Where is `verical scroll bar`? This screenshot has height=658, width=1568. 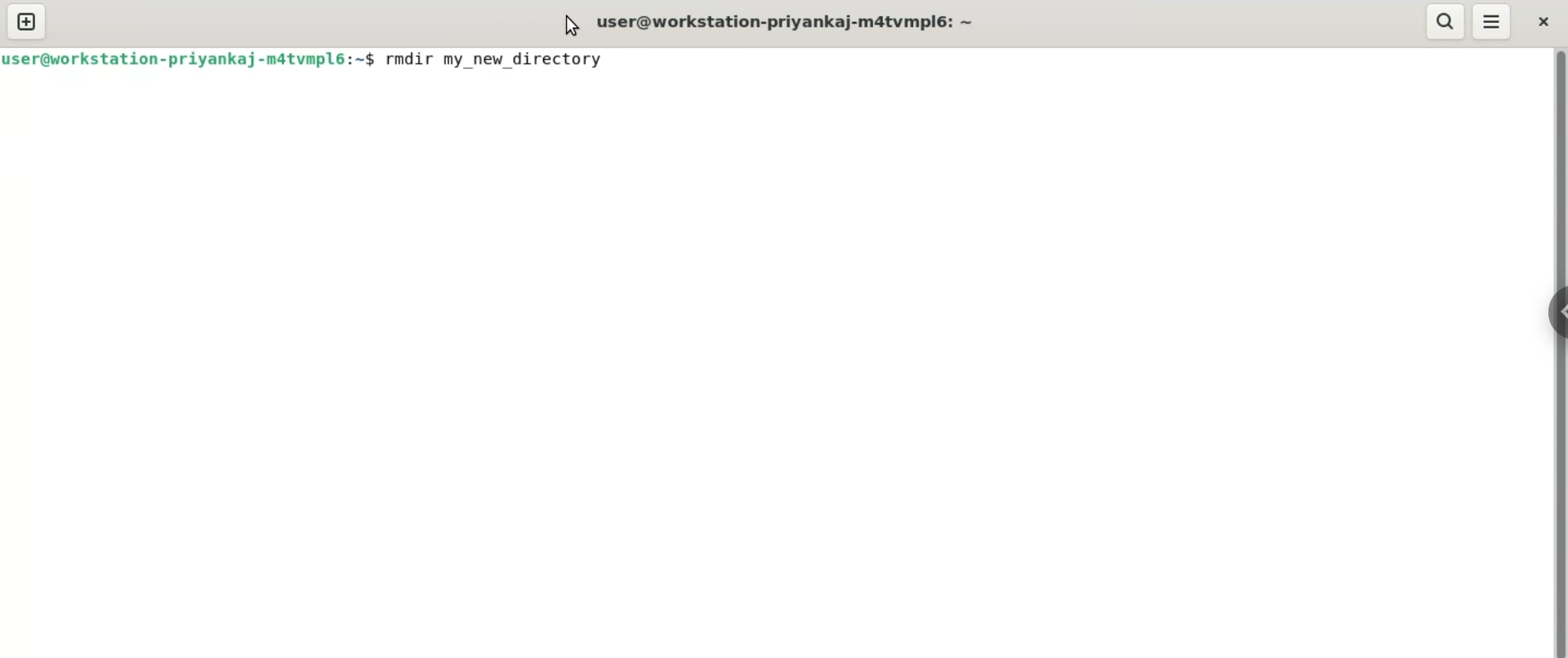
verical scroll bar is located at coordinates (1558, 351).